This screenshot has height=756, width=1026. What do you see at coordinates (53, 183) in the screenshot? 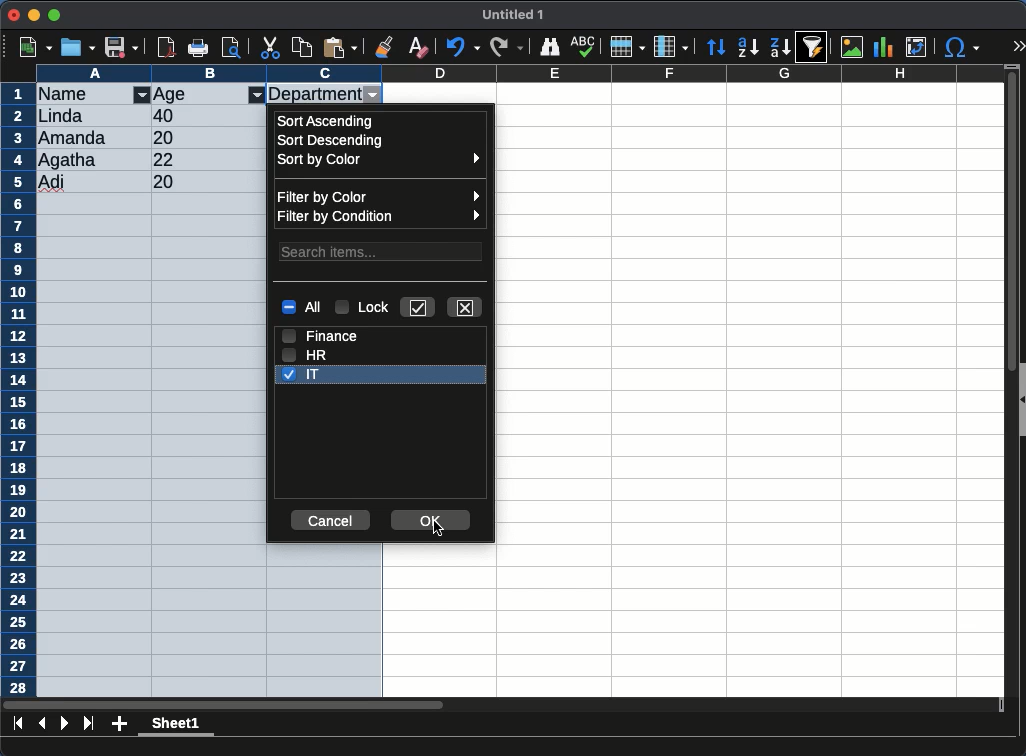
I see `adi` at bounding box center [53, 183].